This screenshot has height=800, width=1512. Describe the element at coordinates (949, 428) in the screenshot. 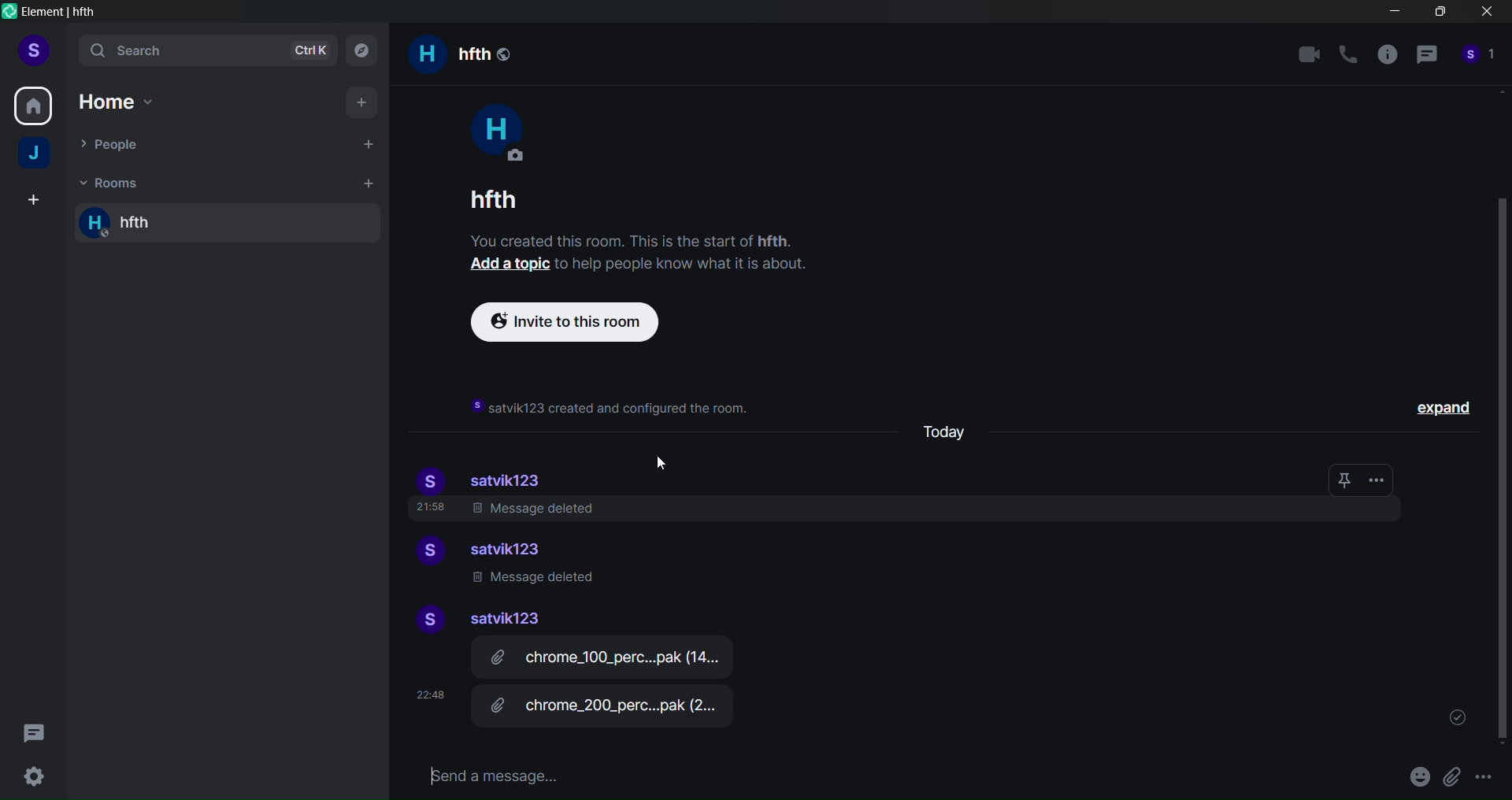

I see `Today` at that location.